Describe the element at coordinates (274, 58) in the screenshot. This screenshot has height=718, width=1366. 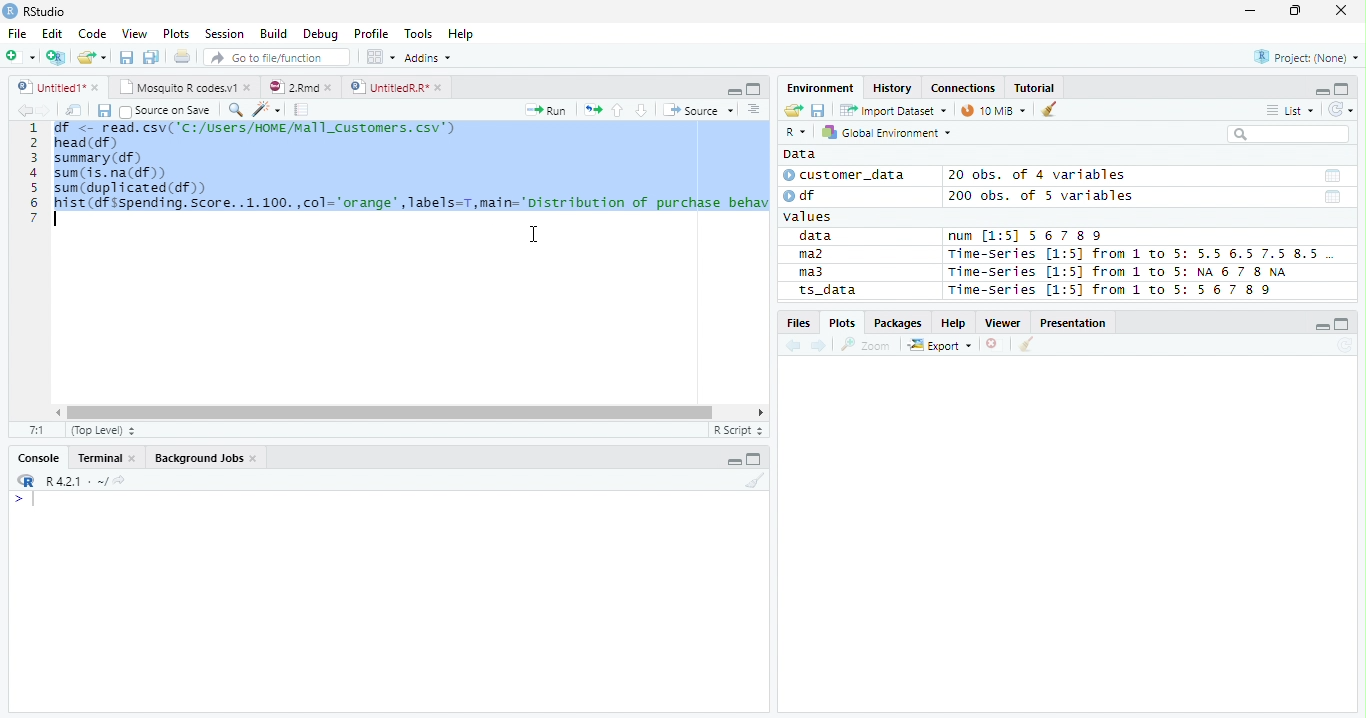
I see `Go to file/function` at that location.